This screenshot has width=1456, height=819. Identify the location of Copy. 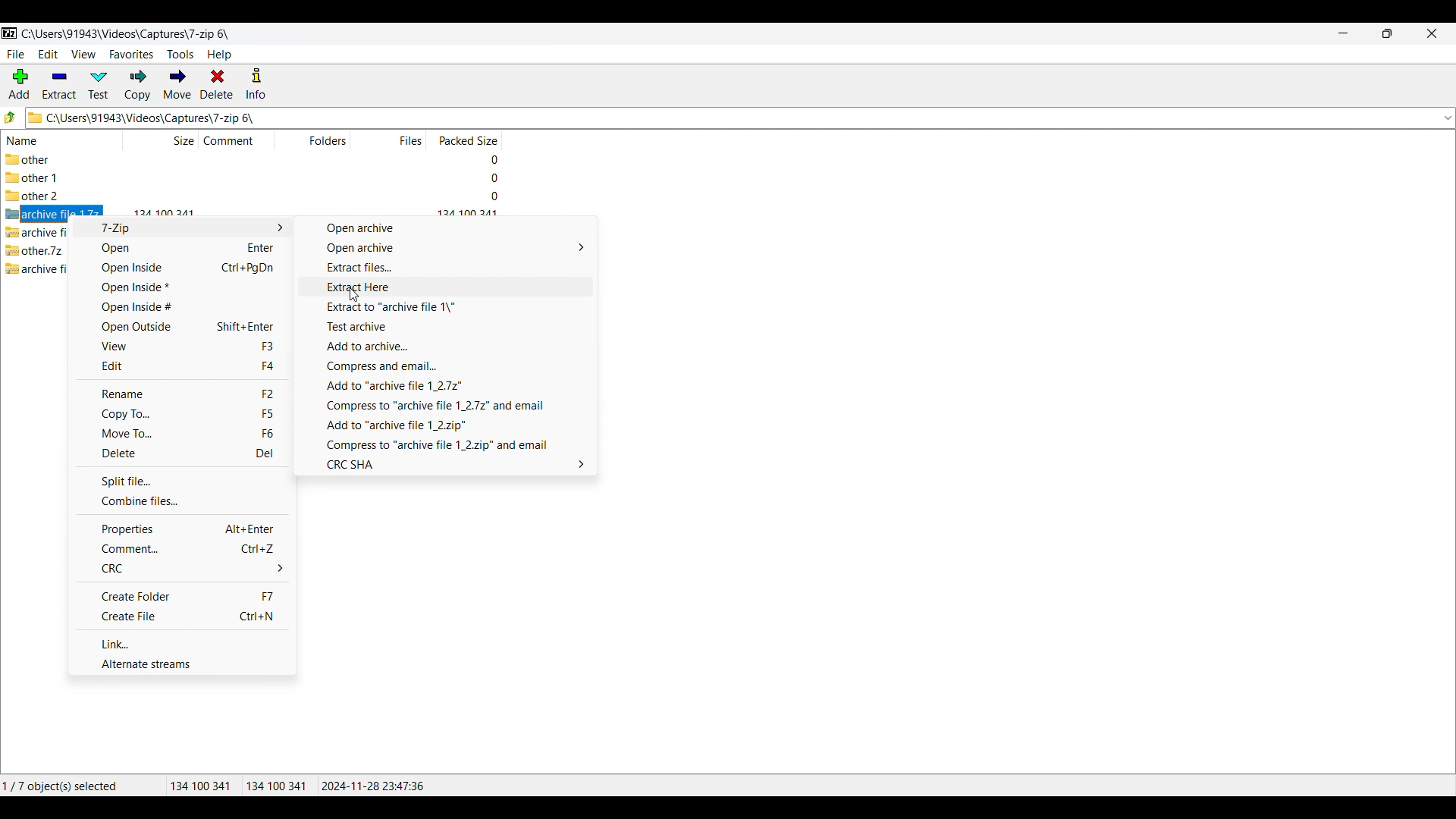
(137, 85).